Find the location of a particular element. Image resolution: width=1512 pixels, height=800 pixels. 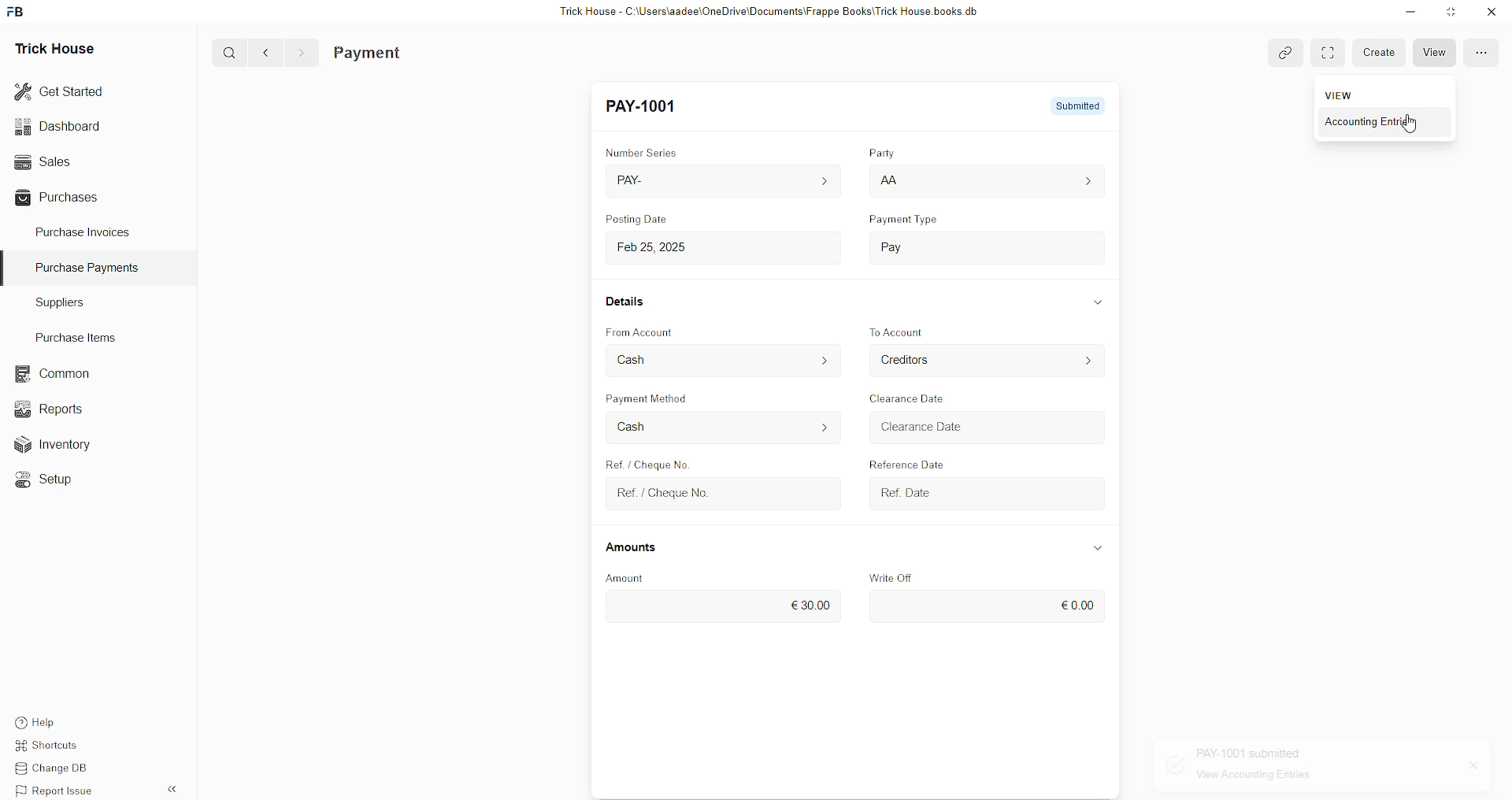

Feb 25,2025 is located at coordinates (668, 247).